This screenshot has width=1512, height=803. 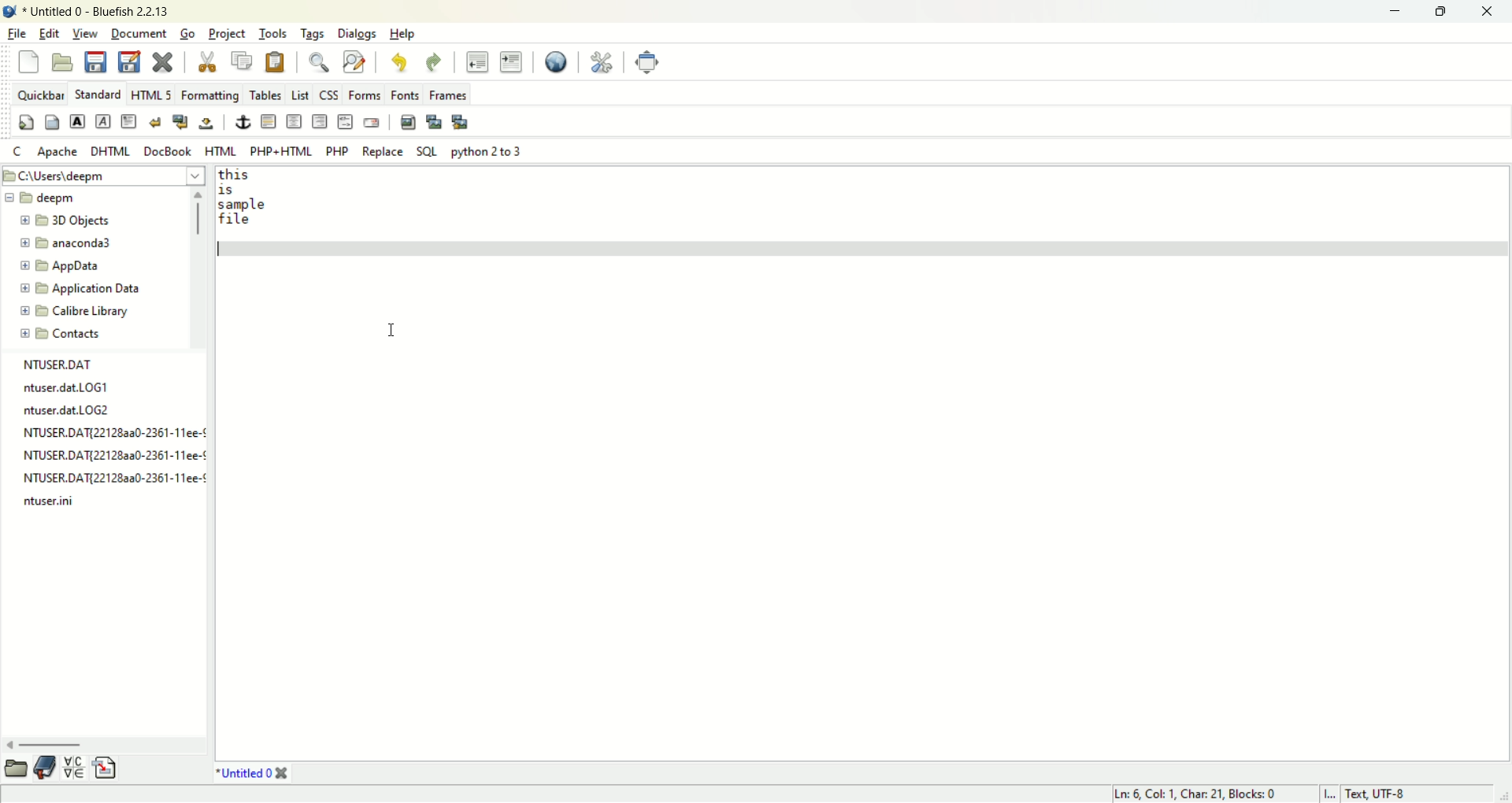 I want to click on vertical scroll bar, so click(x=197, y=265).